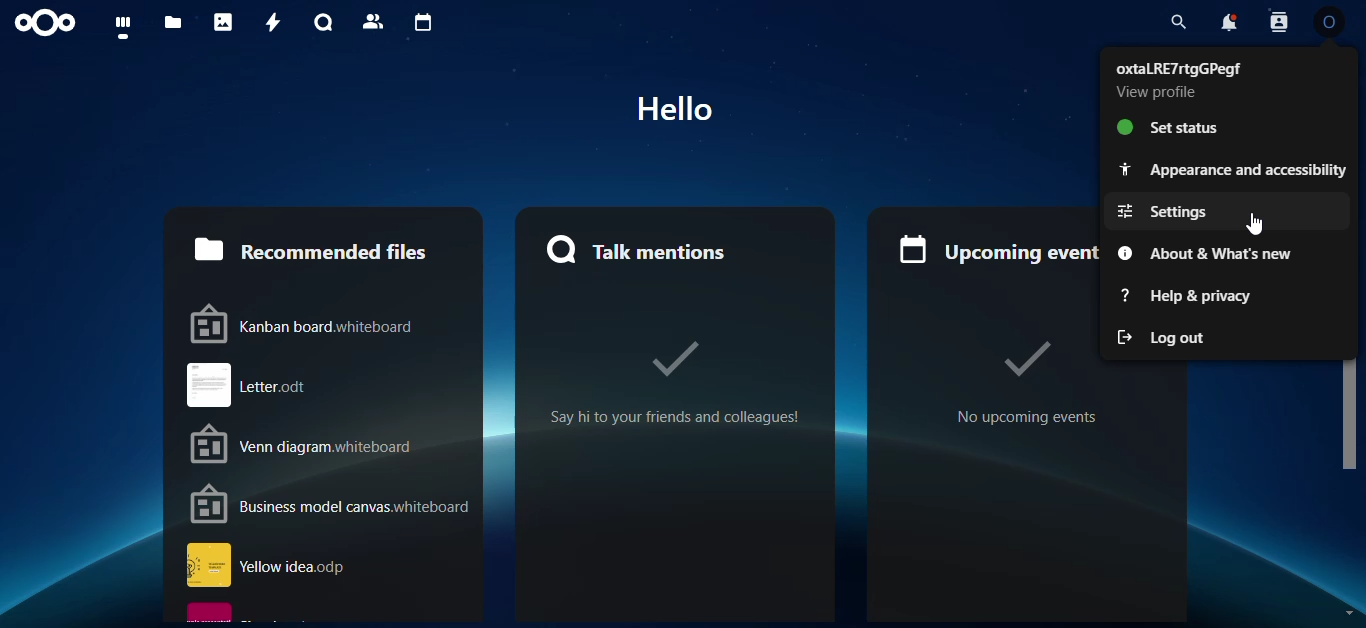 The image size is (1366, 628). Describe the element at coordinates (45, 23) in the screenshot. I see `nextcloud logo` at that location.